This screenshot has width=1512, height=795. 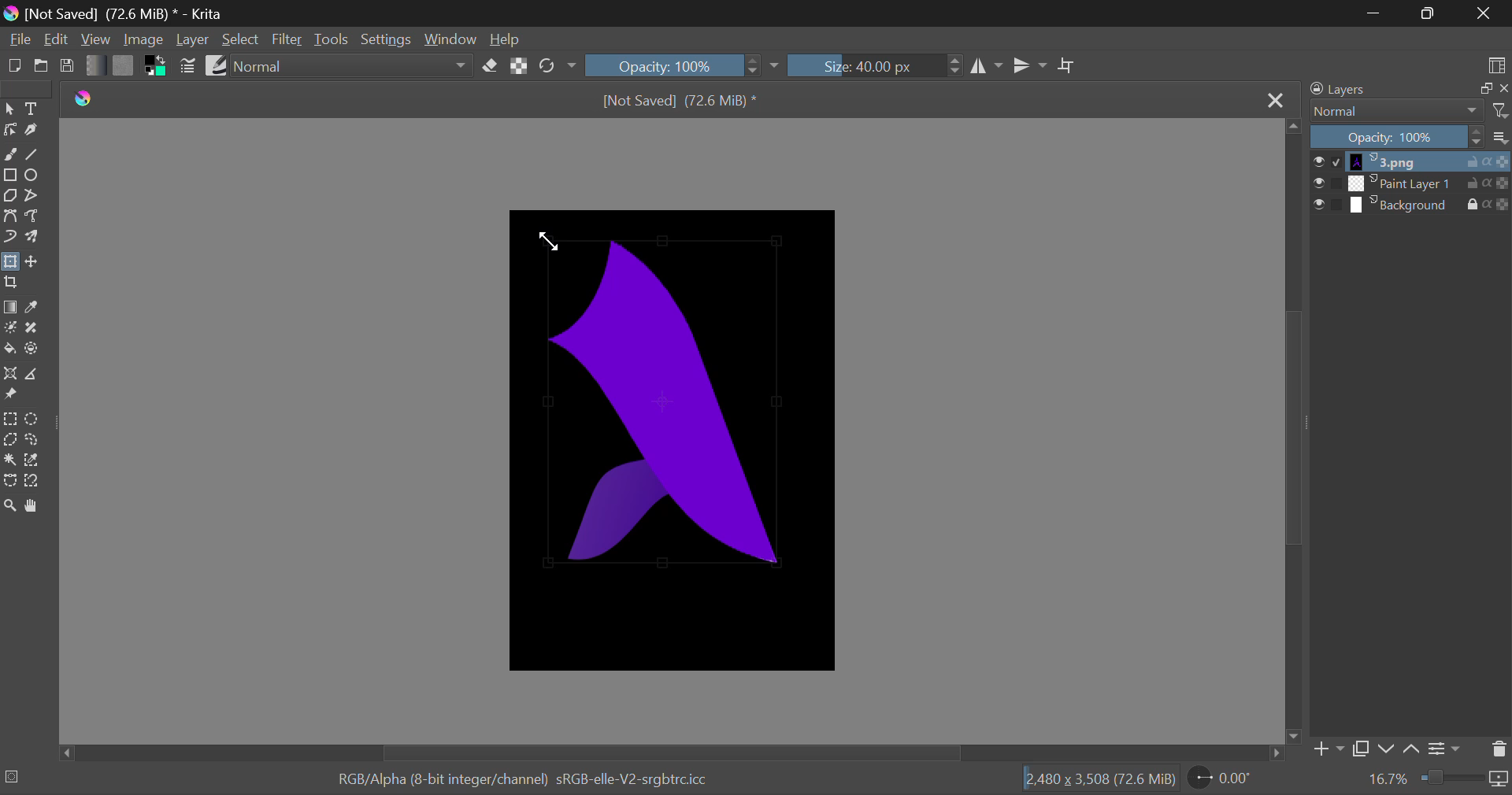 I want to click on layer 2, so click(x=1402, y=183).